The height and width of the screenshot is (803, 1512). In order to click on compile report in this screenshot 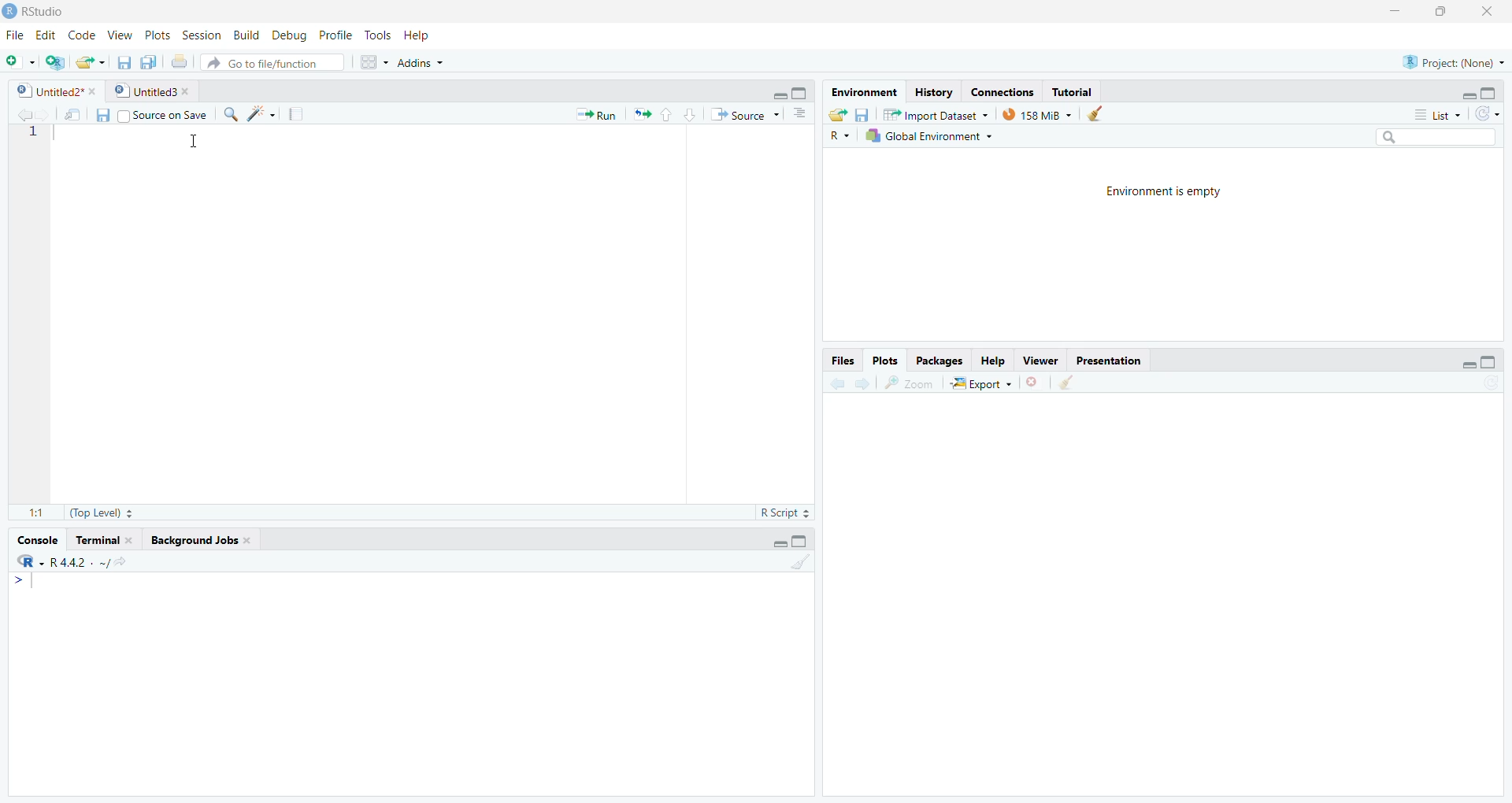, I will do `click(289, 112)`.